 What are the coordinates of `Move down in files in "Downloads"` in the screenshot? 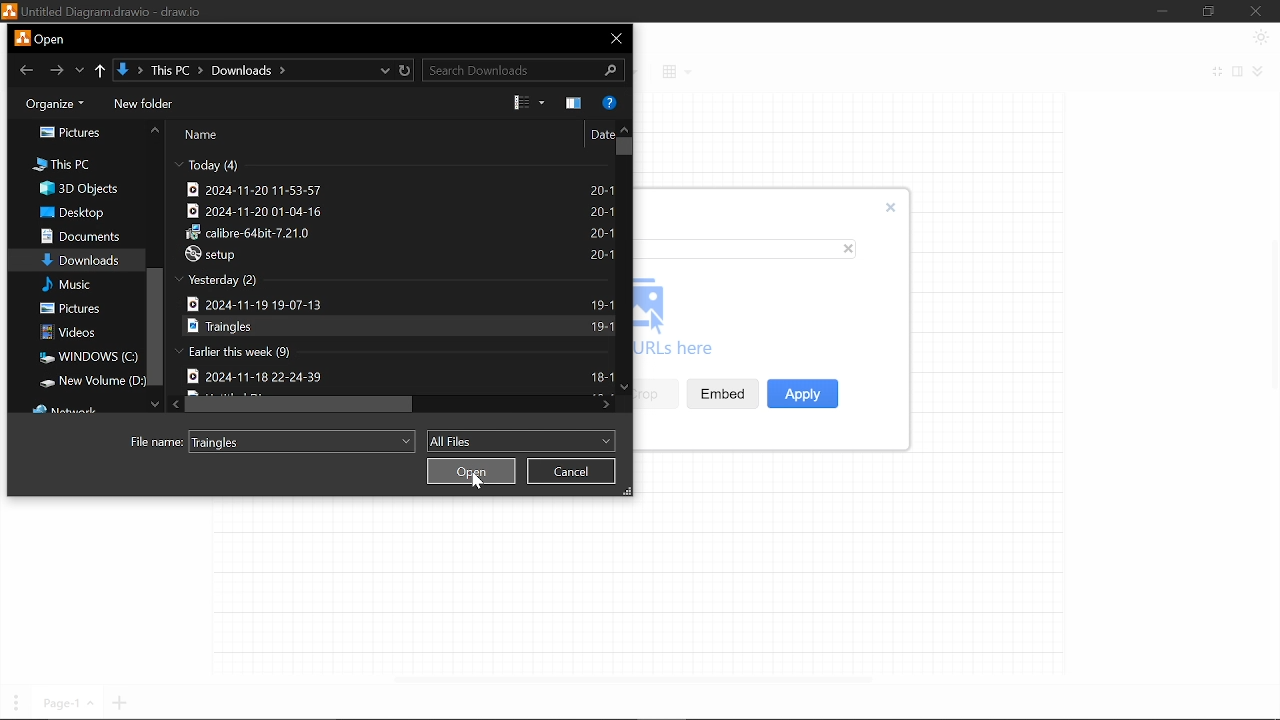 It's located at (625, 388).